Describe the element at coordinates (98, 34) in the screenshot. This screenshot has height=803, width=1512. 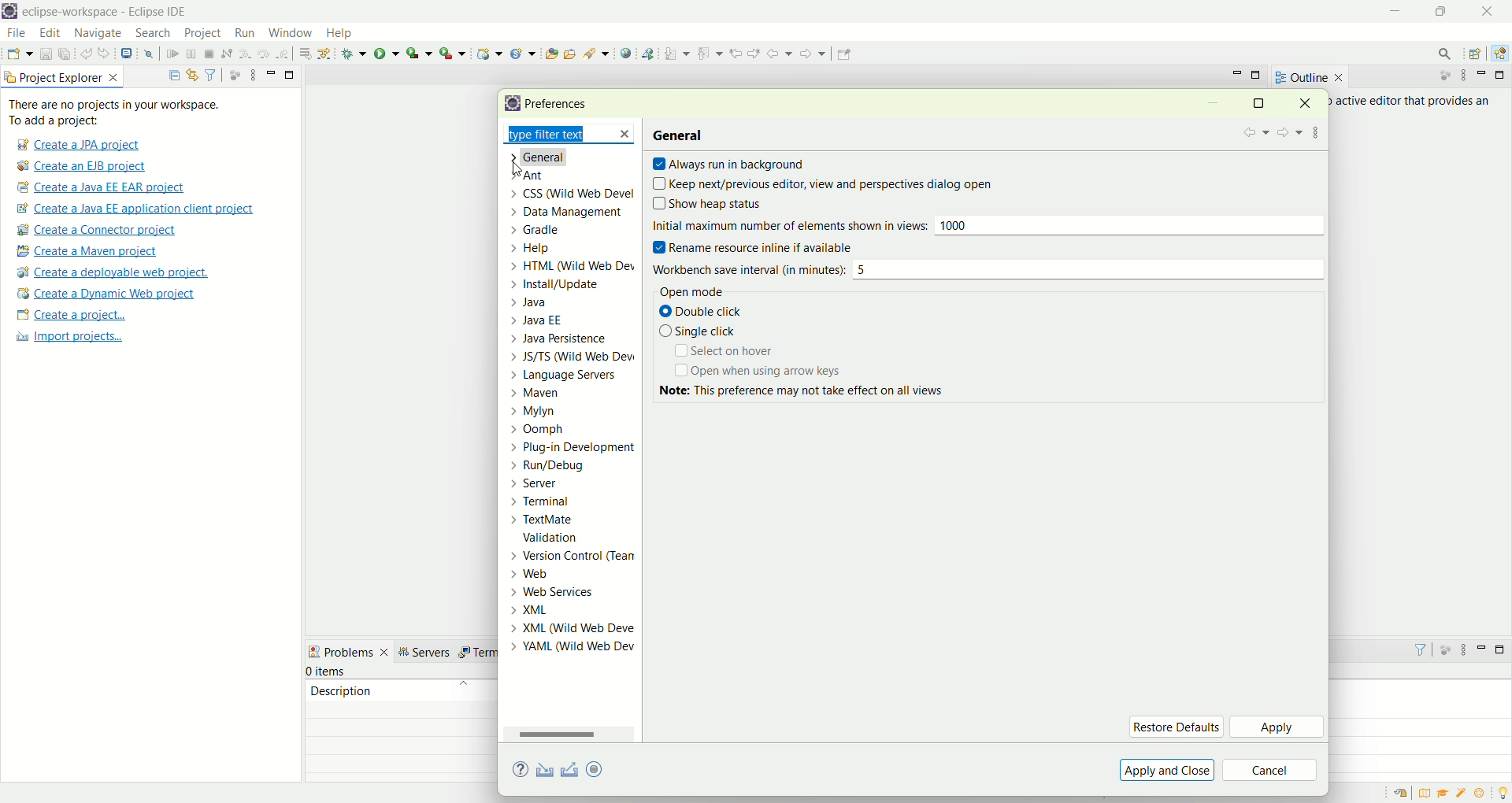
I see `navigate` at that location.